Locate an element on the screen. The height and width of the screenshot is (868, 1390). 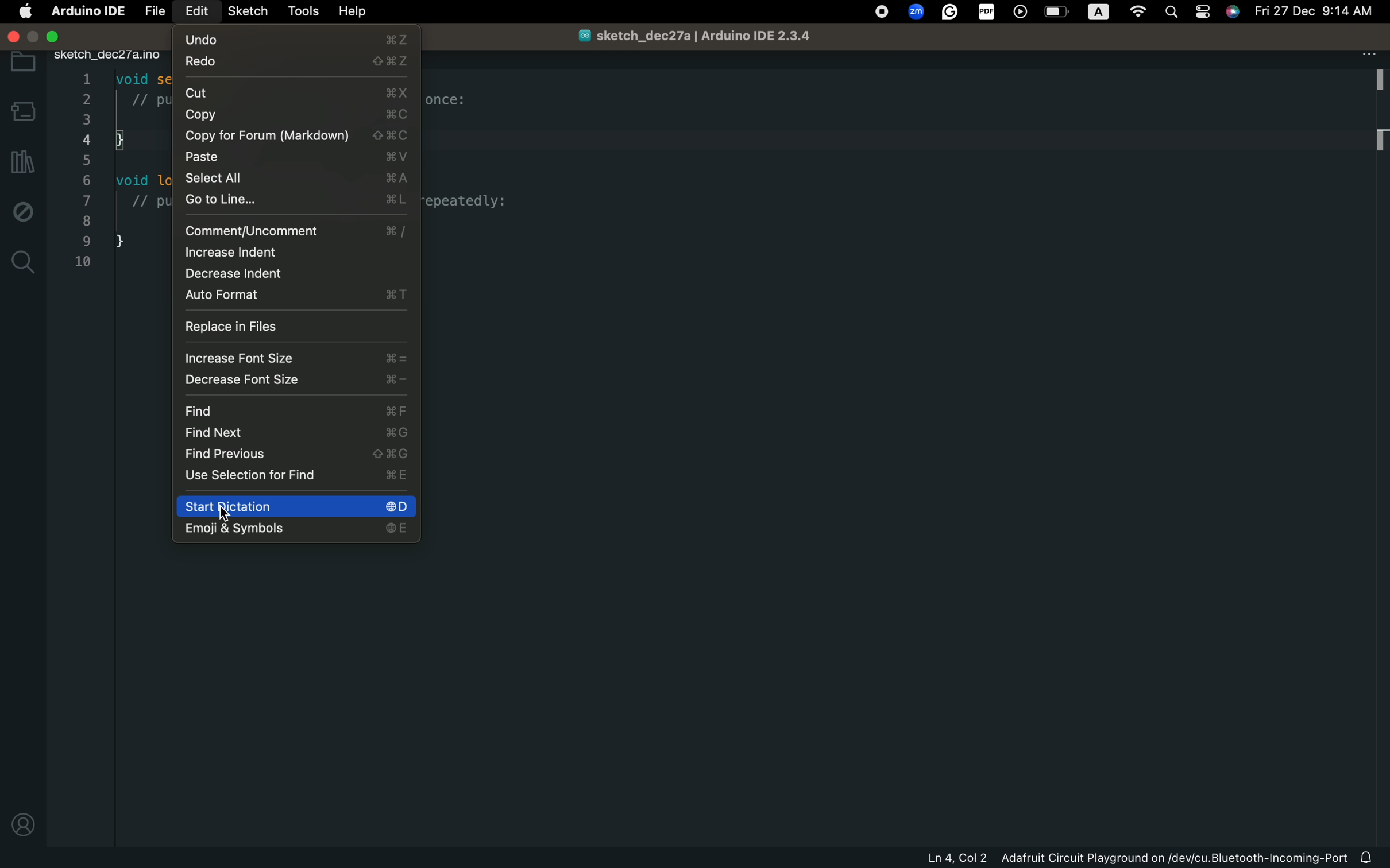
Fri 27 Dec 9:14 AM is located at coordinates (1314, 10).